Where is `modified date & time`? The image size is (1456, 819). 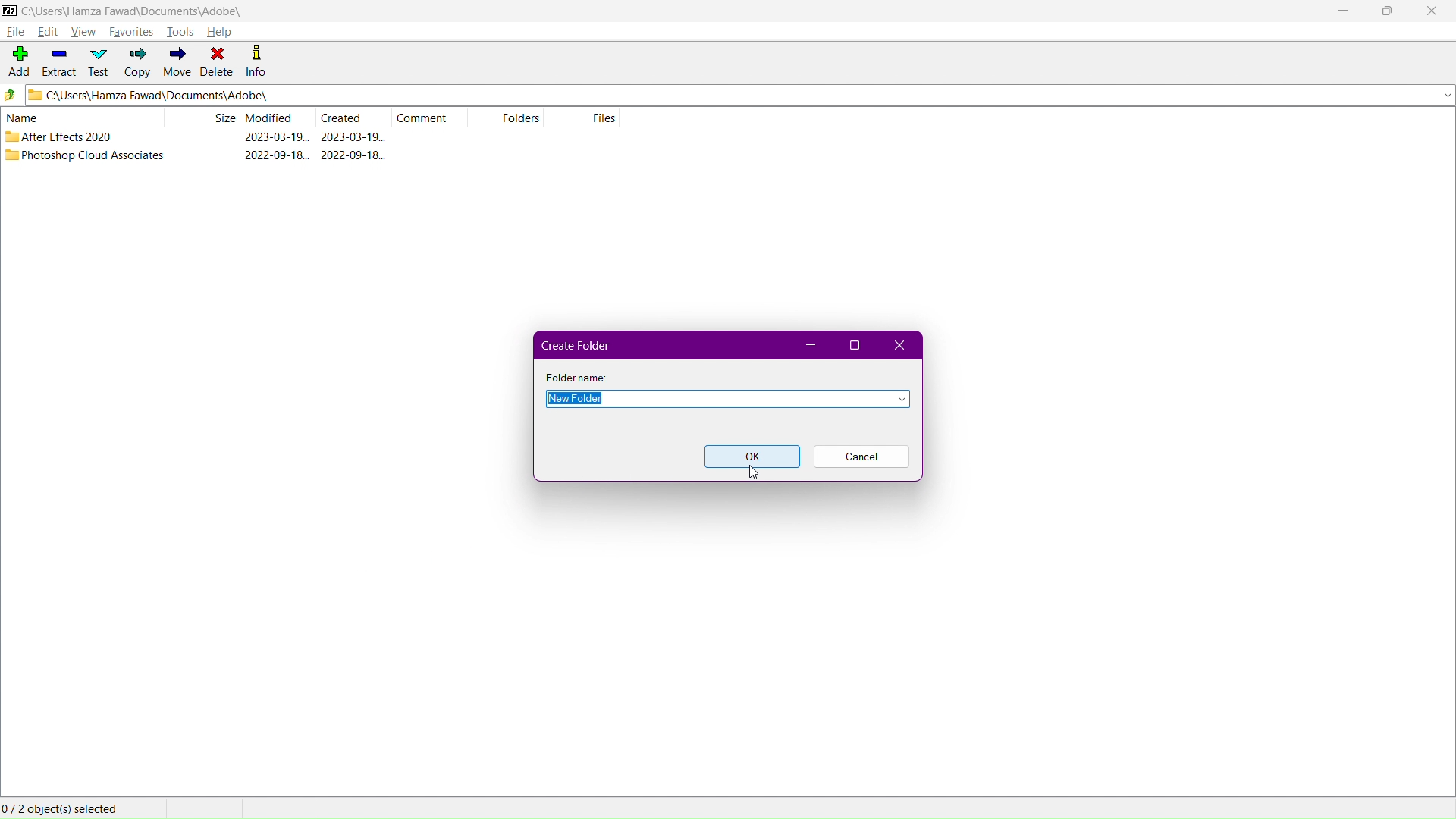
modified date & time is located at coordinates (278, 155).